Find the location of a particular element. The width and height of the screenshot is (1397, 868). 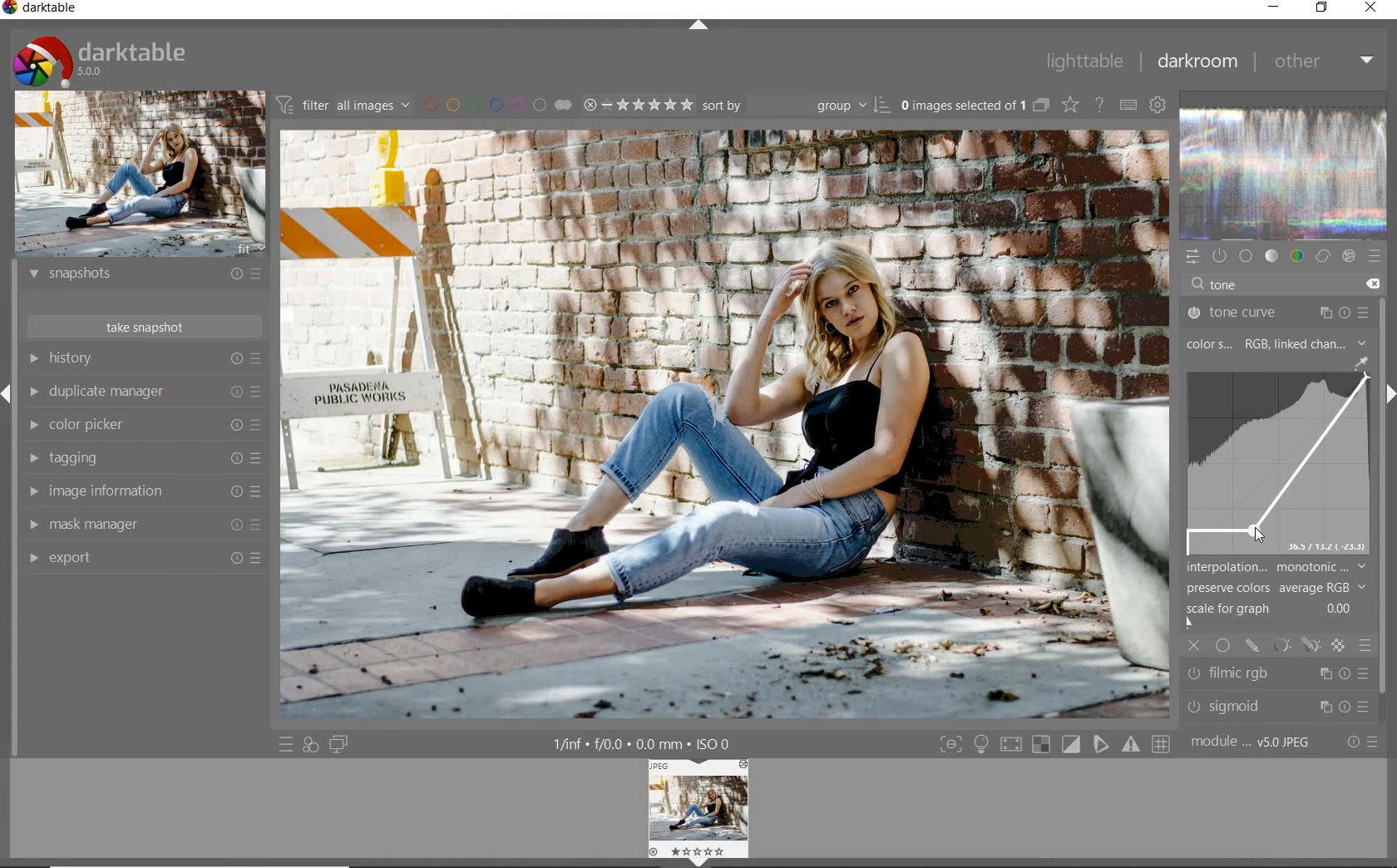

linked channel is located at coordinates (1325, 343).